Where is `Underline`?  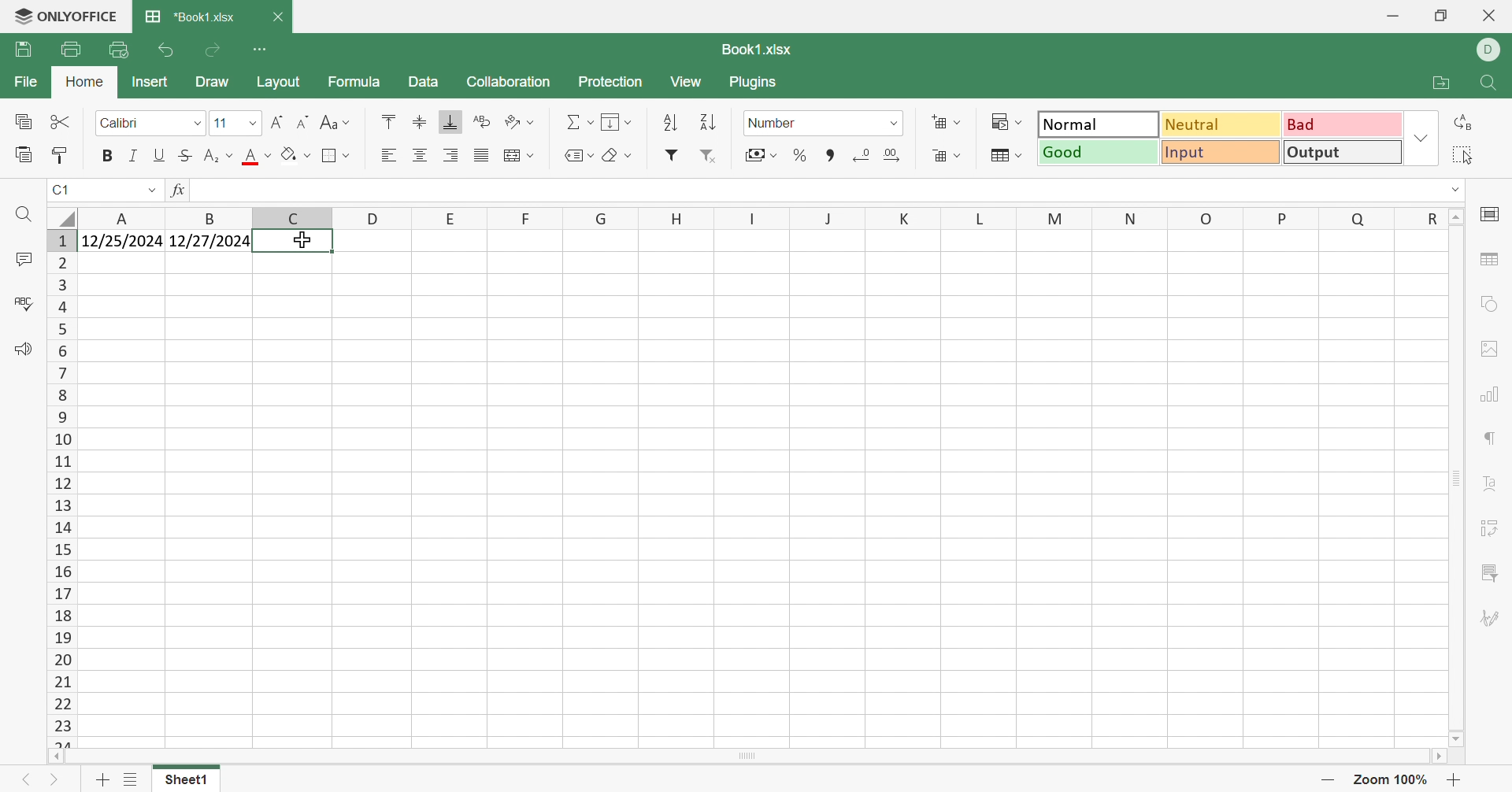 Underline is located at coordinates (159, 154).